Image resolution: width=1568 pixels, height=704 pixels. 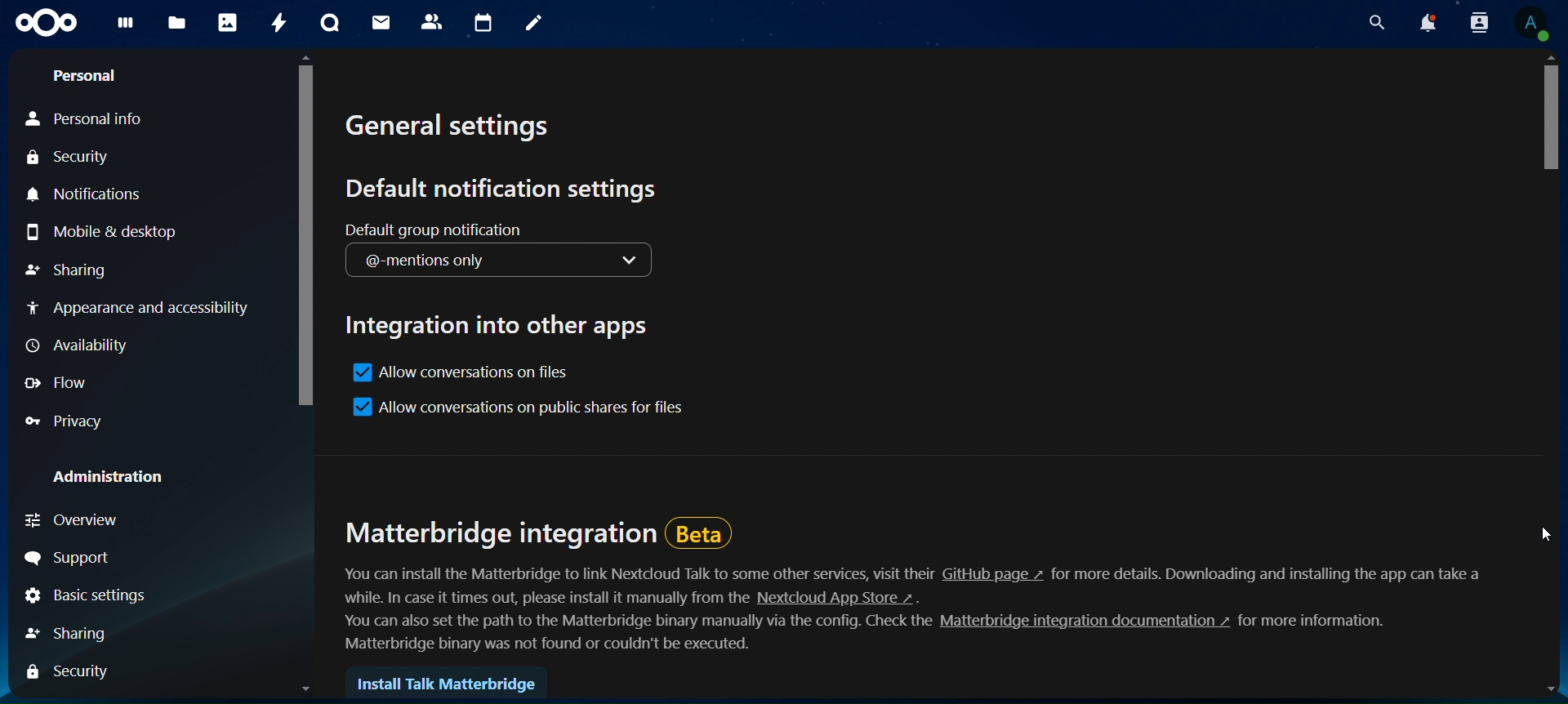 I want to click on Personal, so click(x=82, y=75).